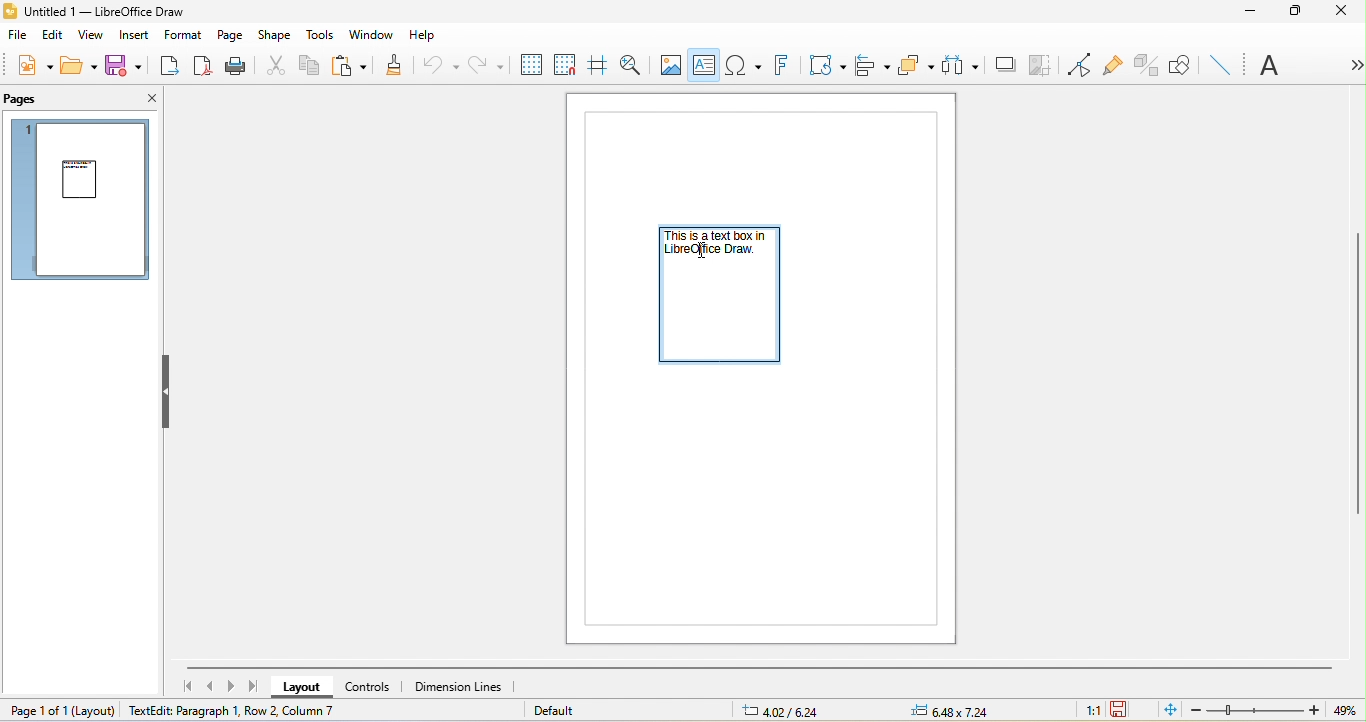  What do you see at coordinates (1077, 63) in the screenshot?
I see `toggle point edit mode` at bounding box center [1077, 63].